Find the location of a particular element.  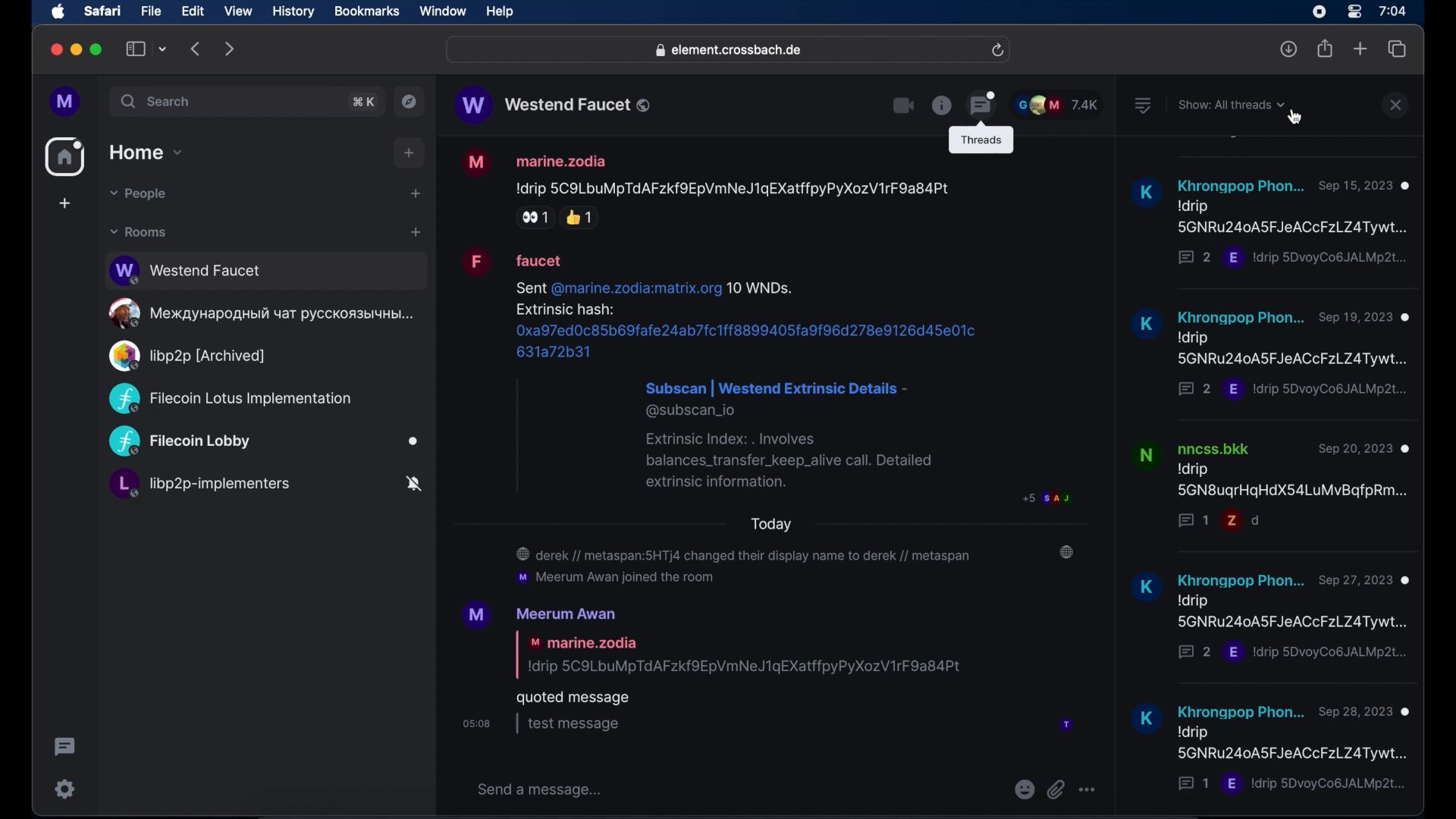

faucet is located at coordinates (527, 263).